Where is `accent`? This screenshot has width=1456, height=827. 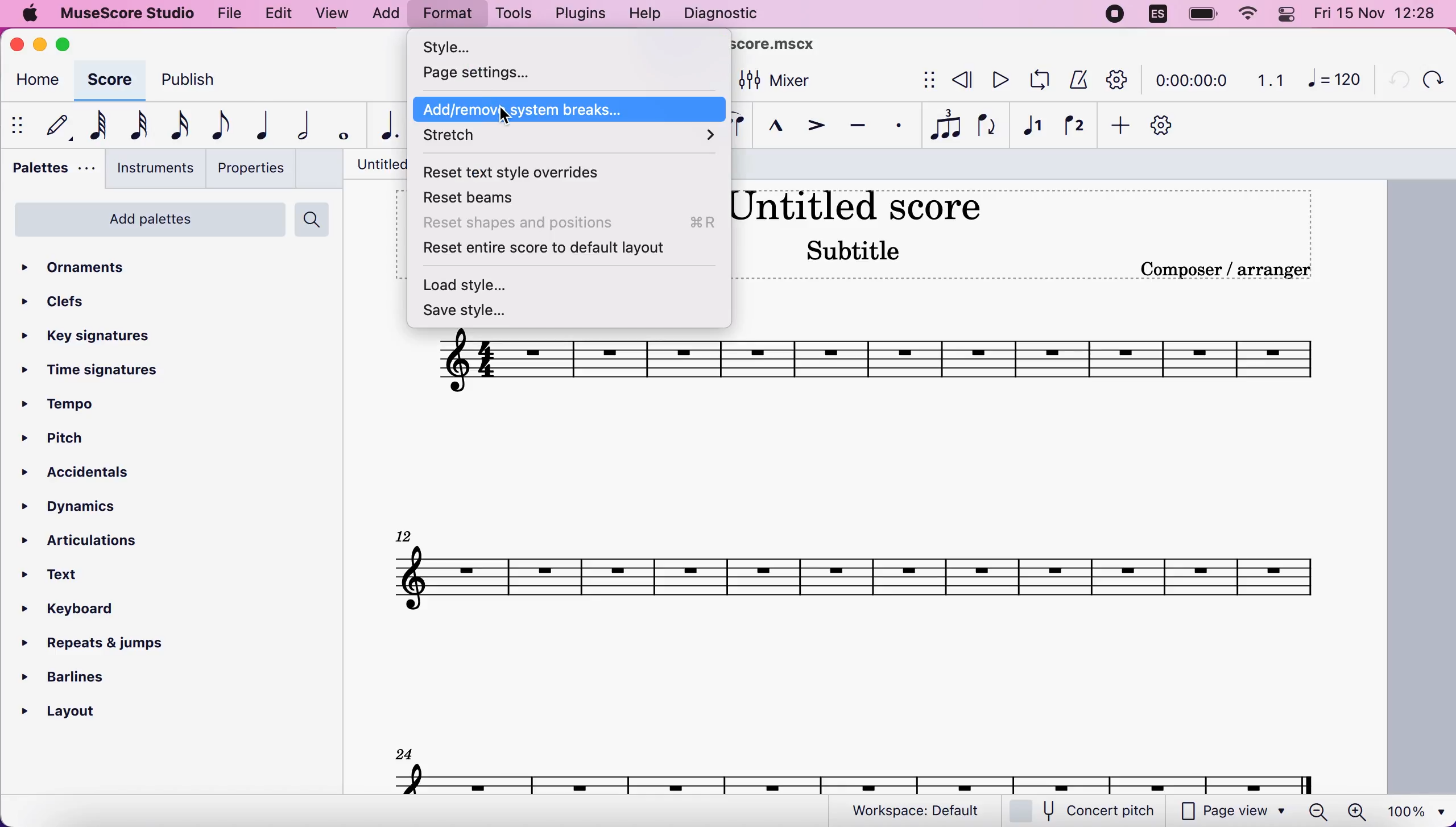 accent is located at coordinates (810, 127).